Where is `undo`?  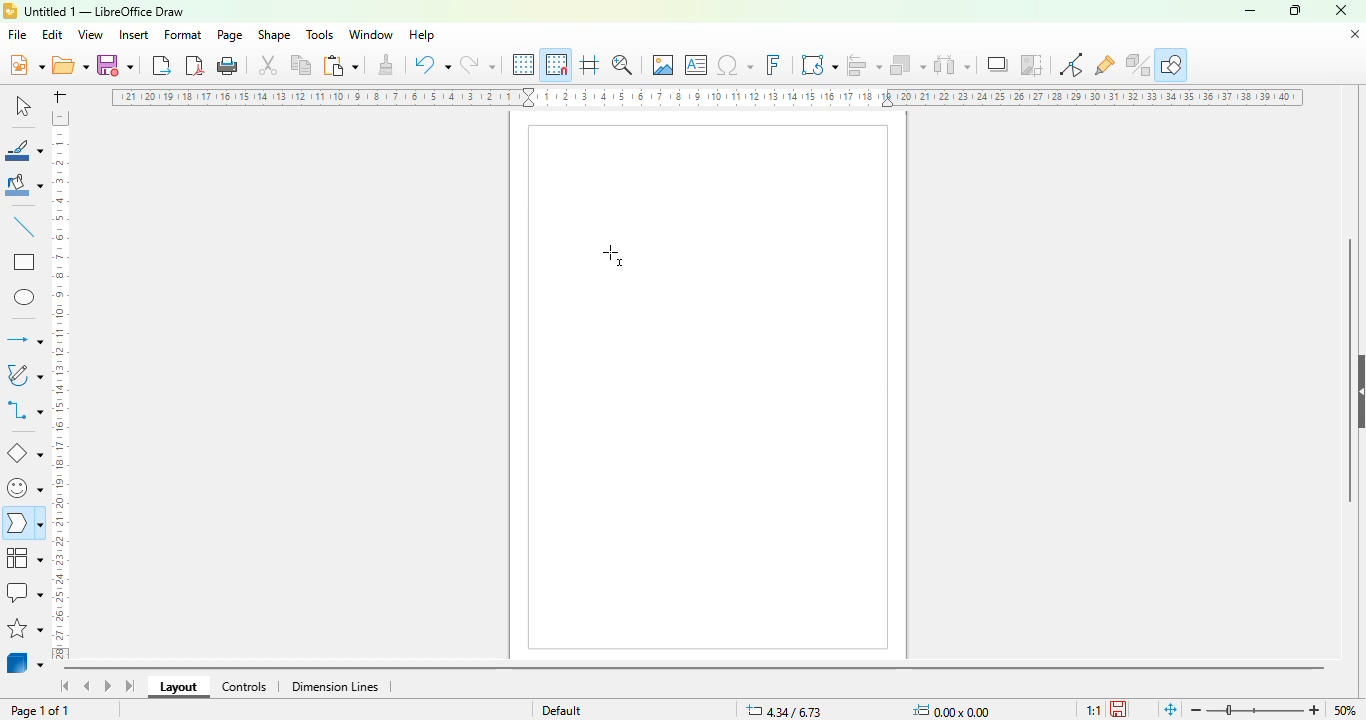
undo is located at coordinates (432, 64).